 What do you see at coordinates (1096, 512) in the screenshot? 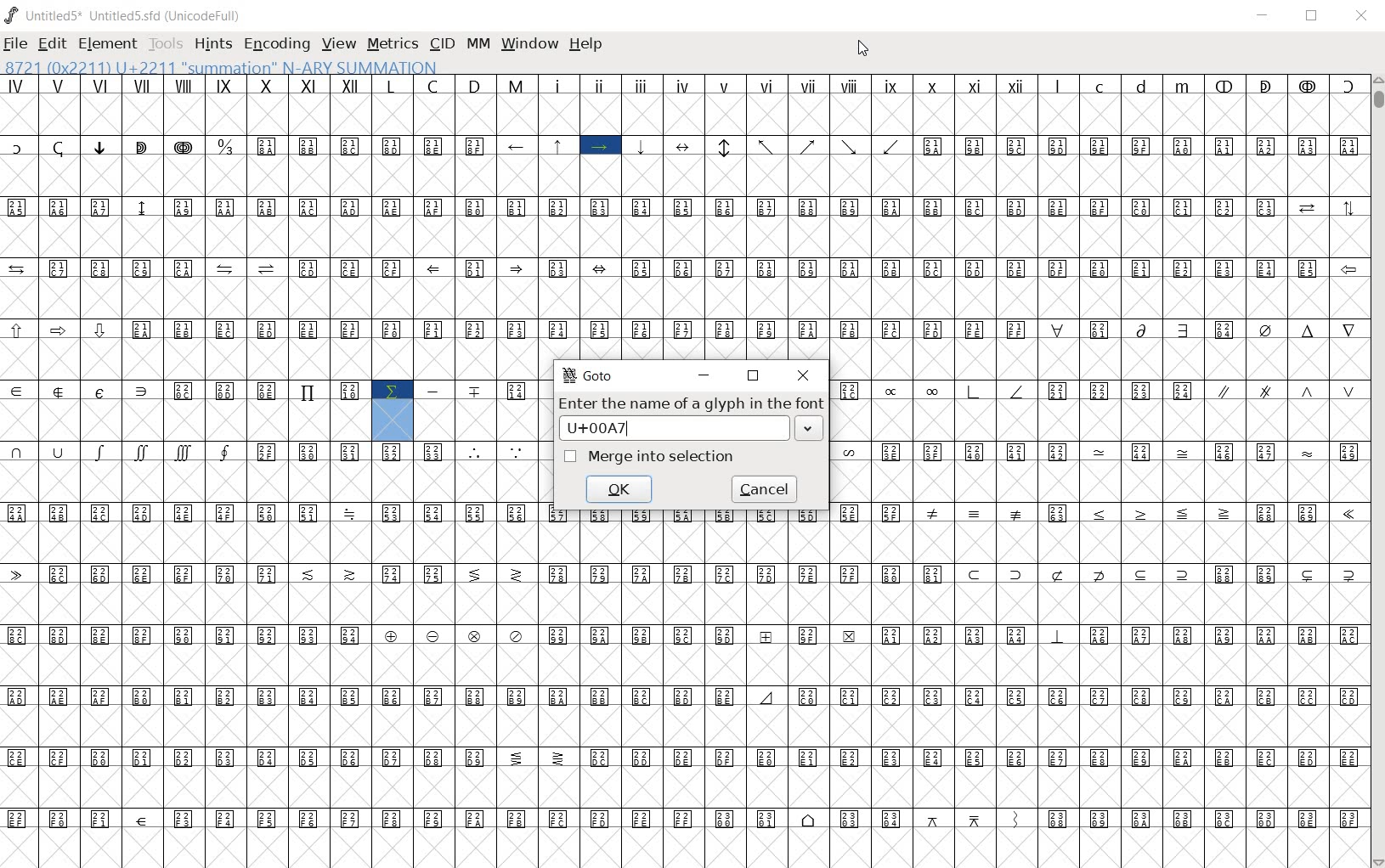
I see `` at bounding box center [1096, 512].